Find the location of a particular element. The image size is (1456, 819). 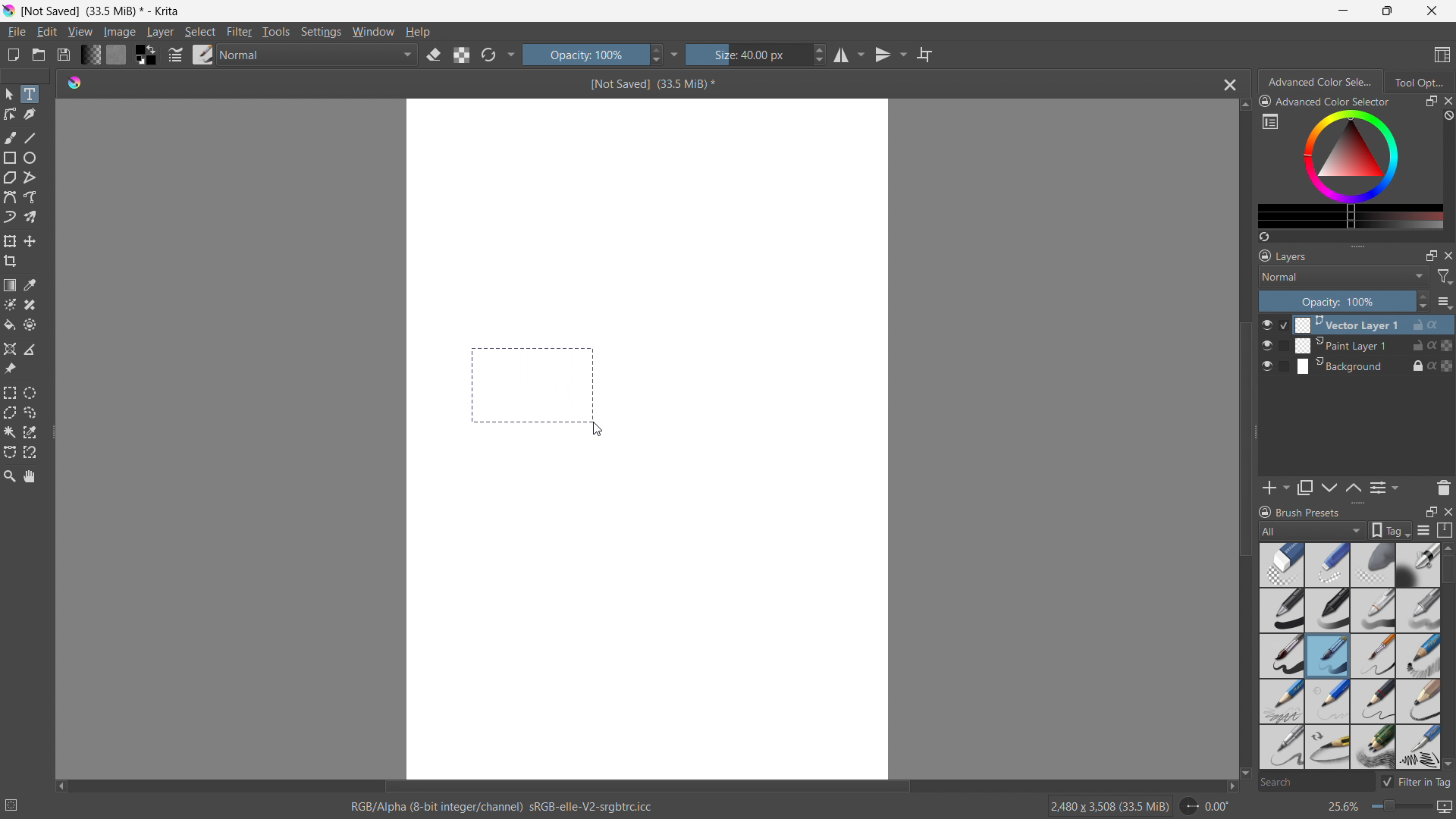

logo is located at coordinates (74, 81).